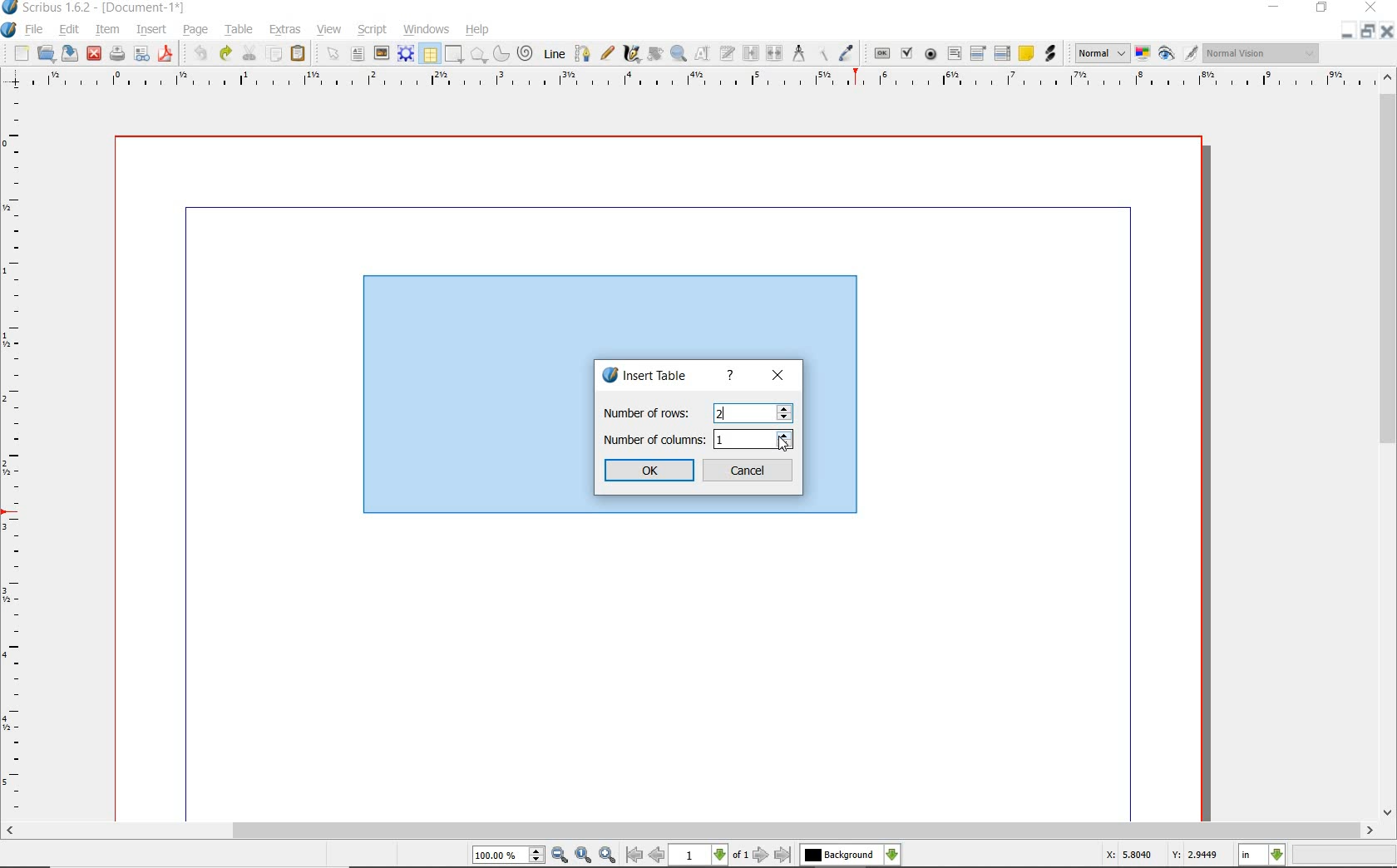 The image size is (1397, 868). I want to click on zoom in or out, so click(678, 54).